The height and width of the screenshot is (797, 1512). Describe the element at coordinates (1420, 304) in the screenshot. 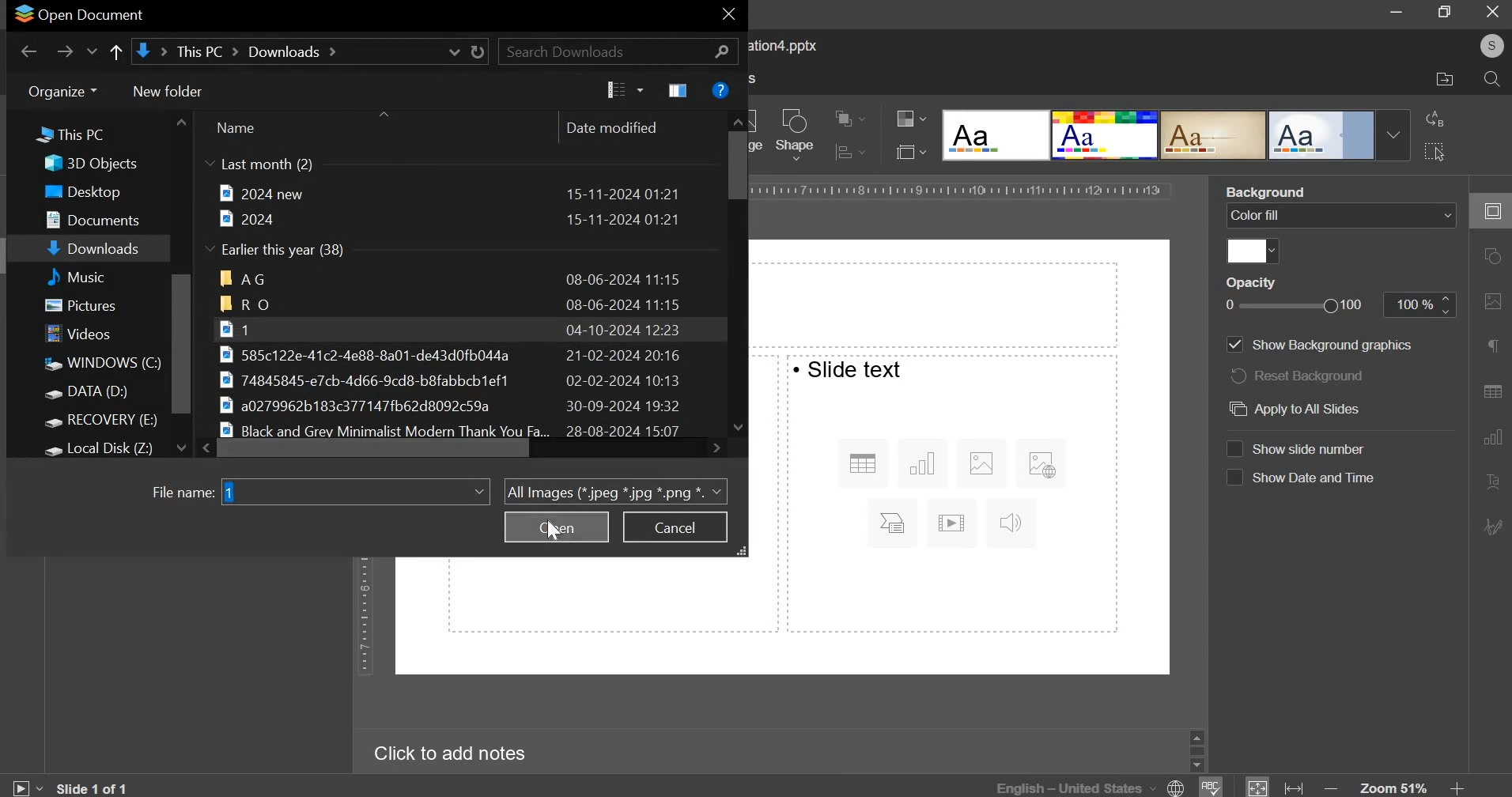

I see `opacity ` at that location.